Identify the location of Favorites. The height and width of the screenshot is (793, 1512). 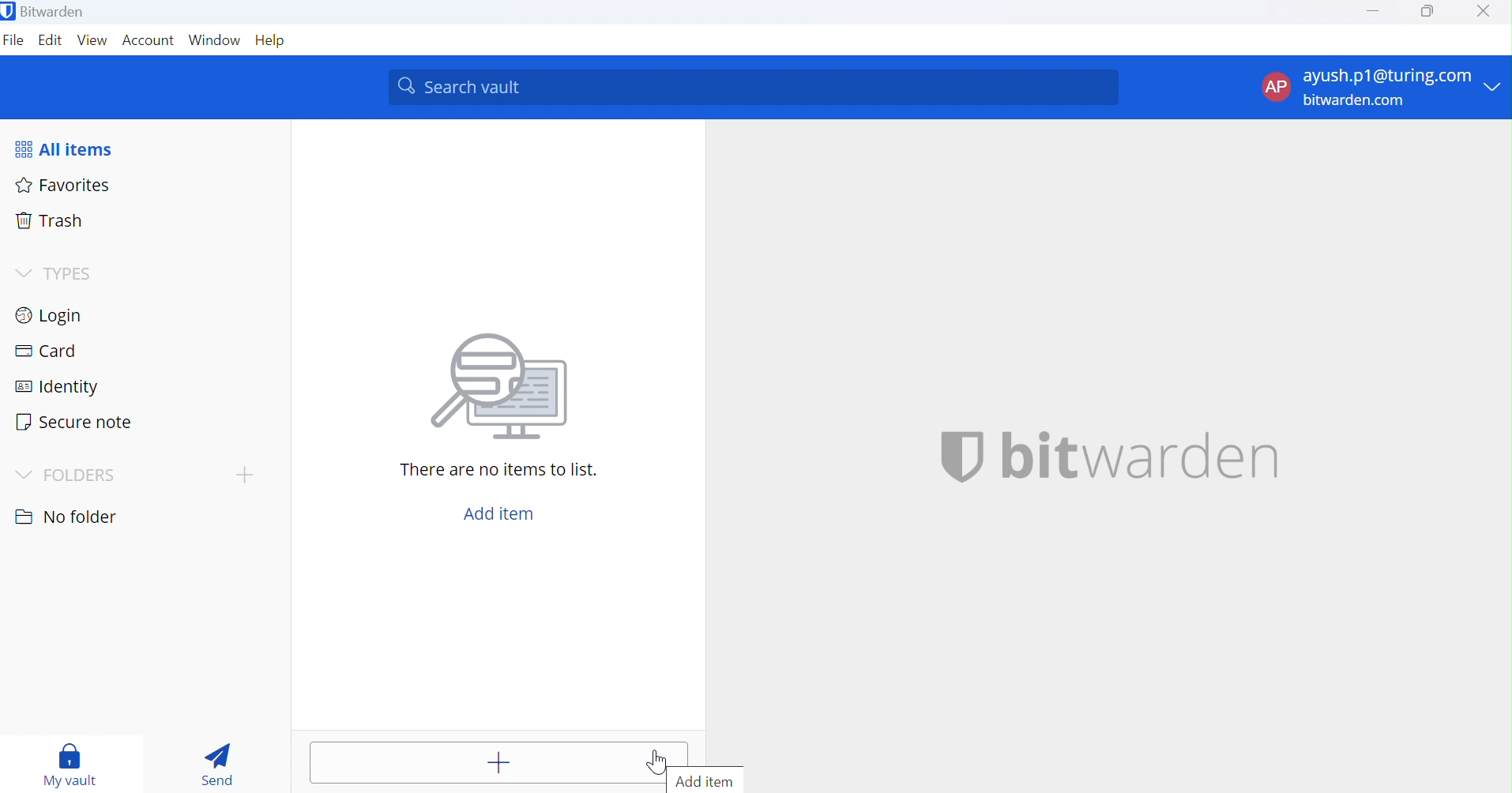
(65, 184).